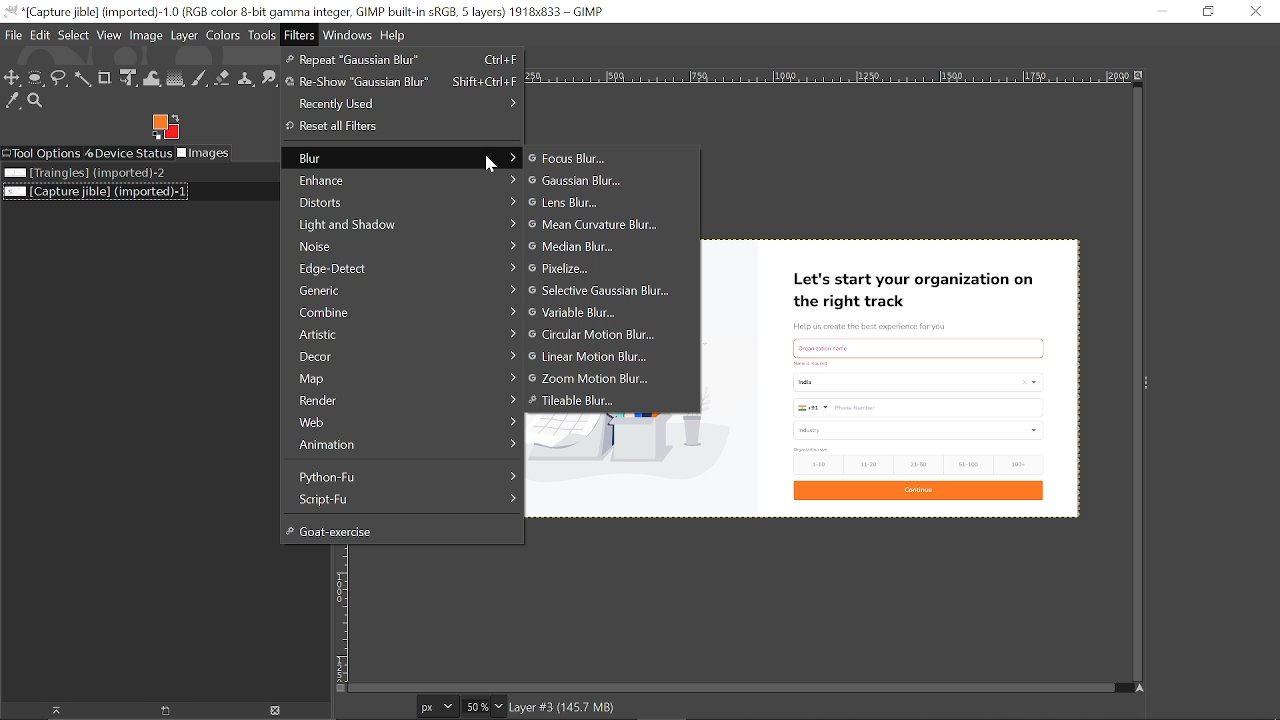 This screenshot has height=720, width=1280. What do you see at coordinates (401, 312) in the screenshot?
I see `Combine` at bounding box center [401, 312].